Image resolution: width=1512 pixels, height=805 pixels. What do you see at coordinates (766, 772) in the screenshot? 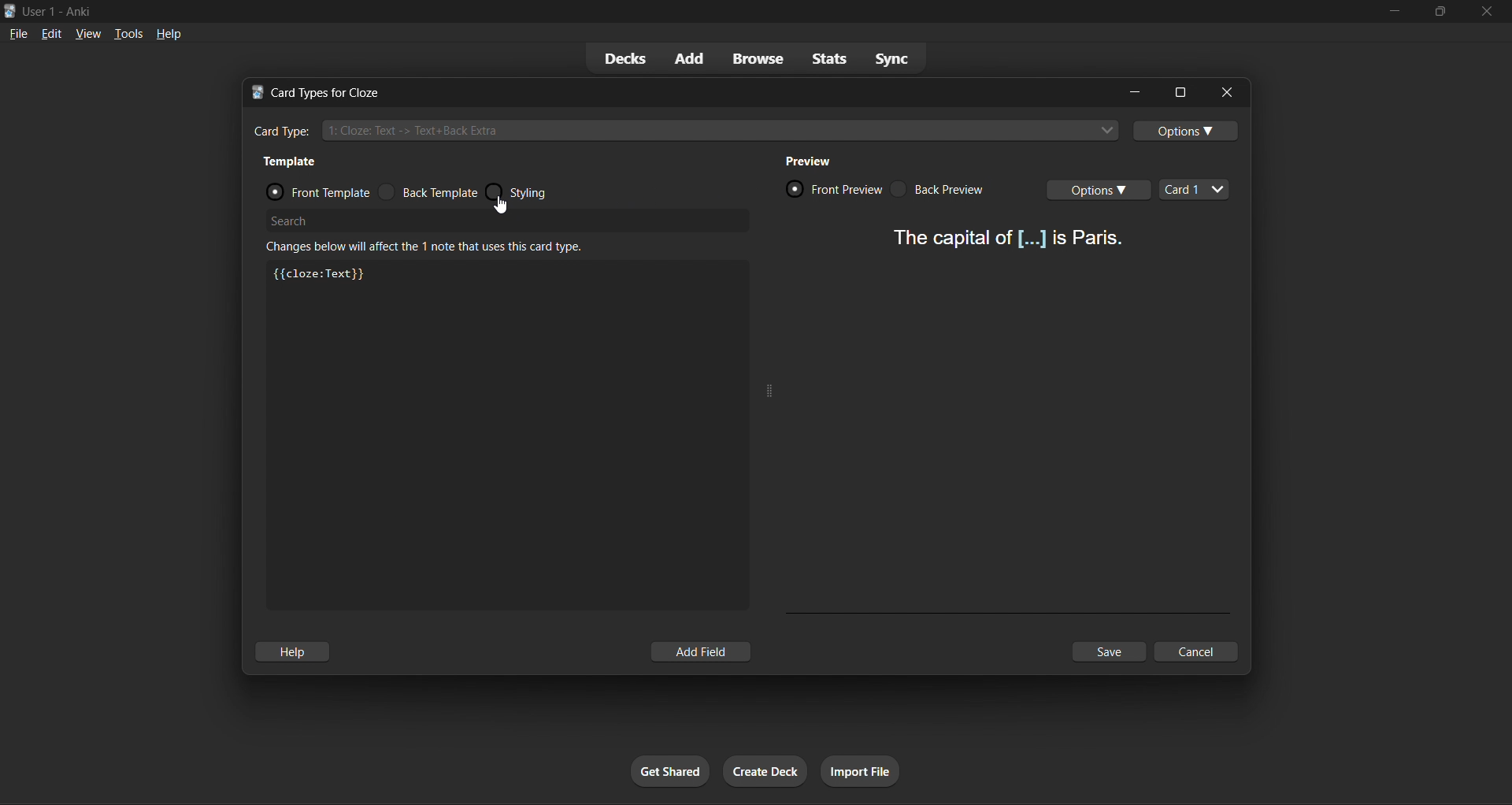
I see `create deck` at bounding box center [766, 772].